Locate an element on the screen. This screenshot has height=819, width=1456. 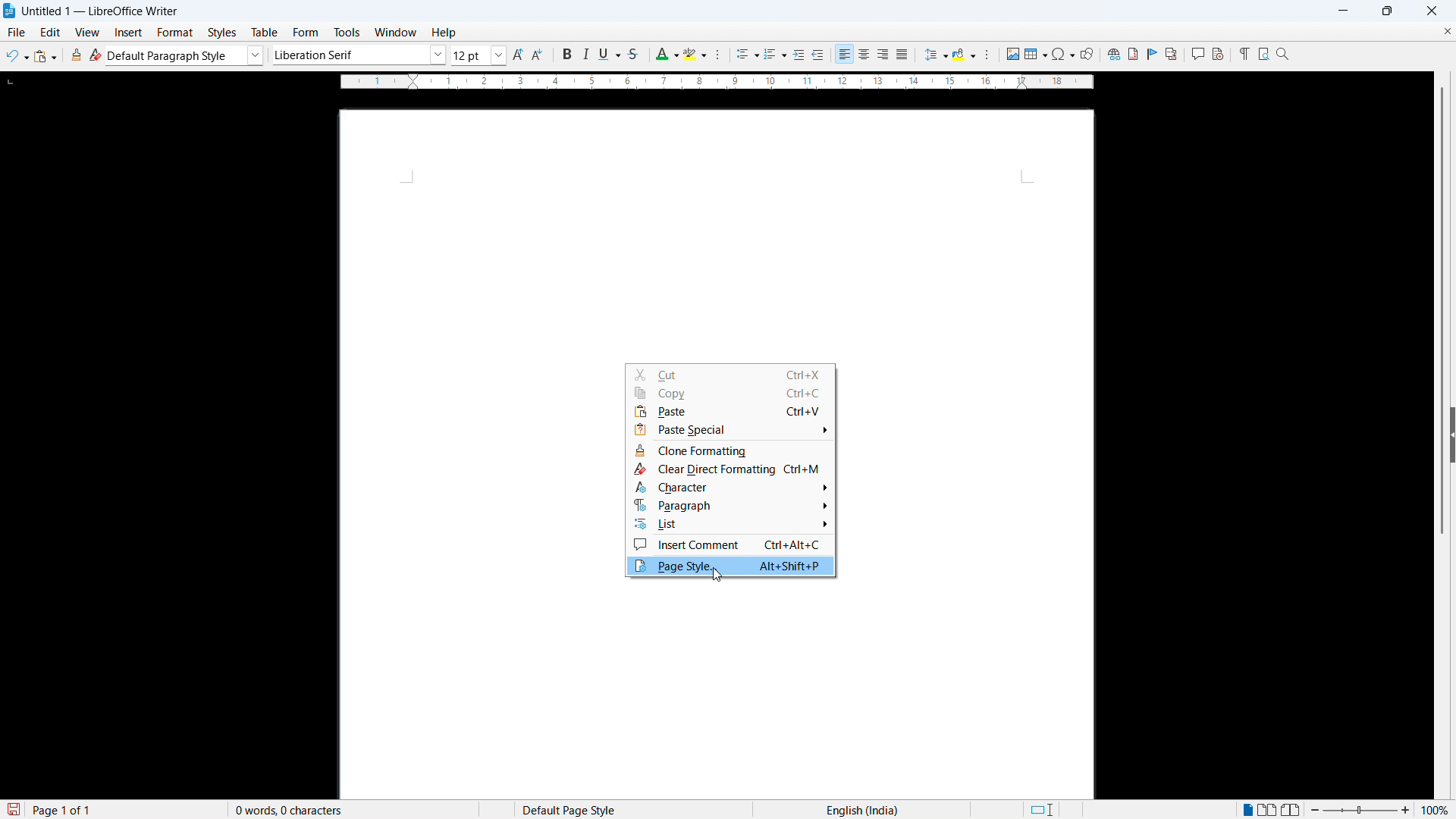
Show draw functions  is located at coordinates (1087, 54).